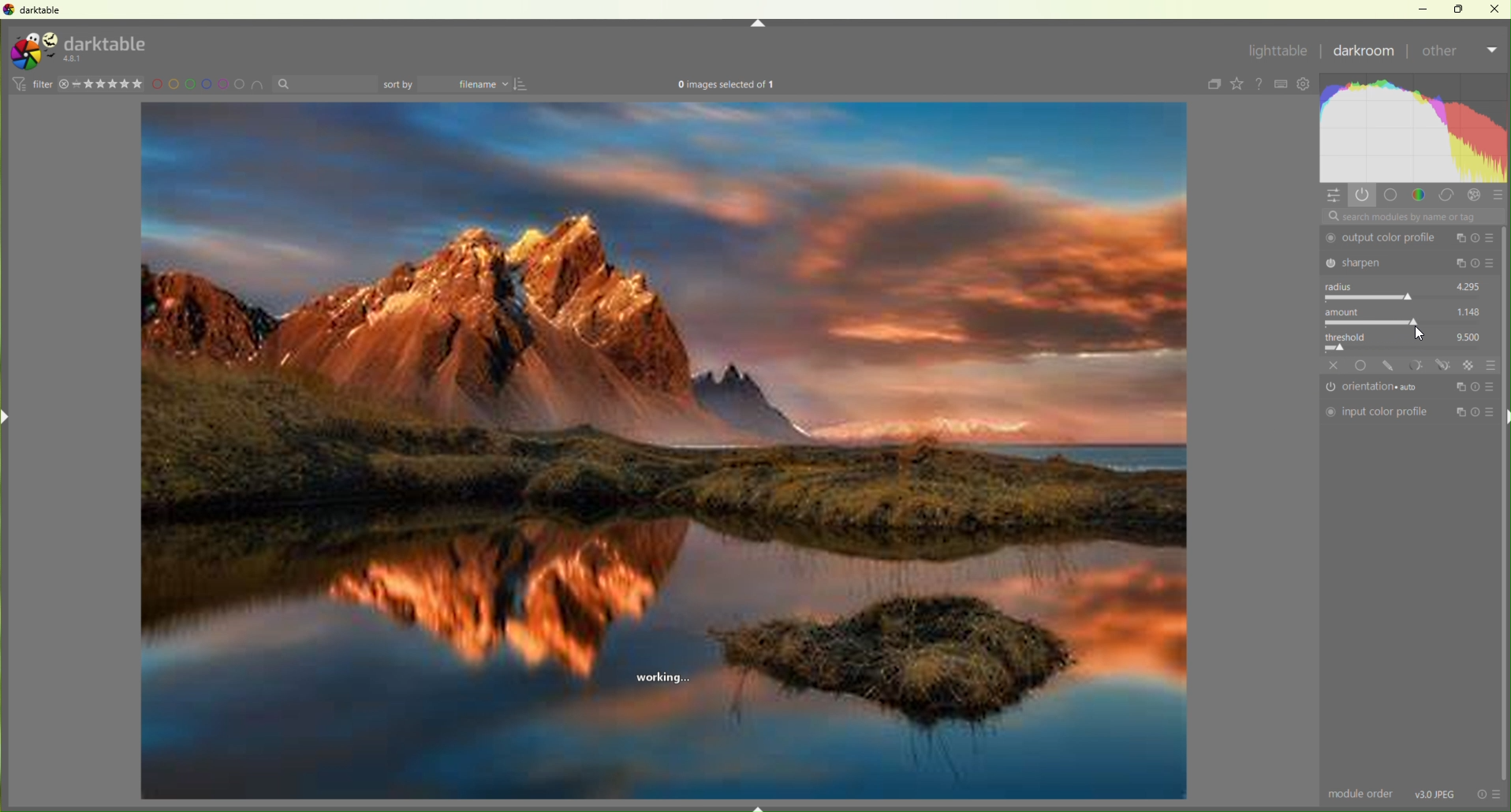 The height and width of the screenshot is (812, 1511). What do you see at coordinates (1458, 54) in the screenshot?
I see `Other` at bounding box center [1458, 54].